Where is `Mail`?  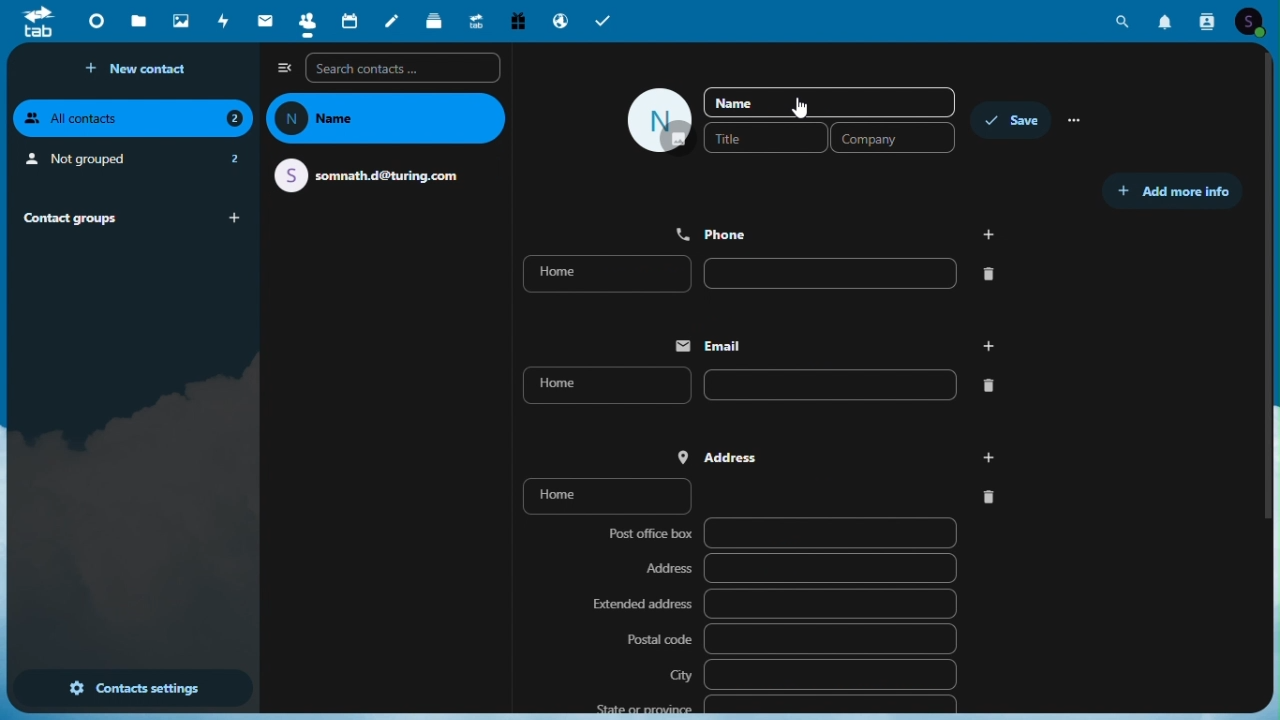 Mail is located at coordinates (261, 22).